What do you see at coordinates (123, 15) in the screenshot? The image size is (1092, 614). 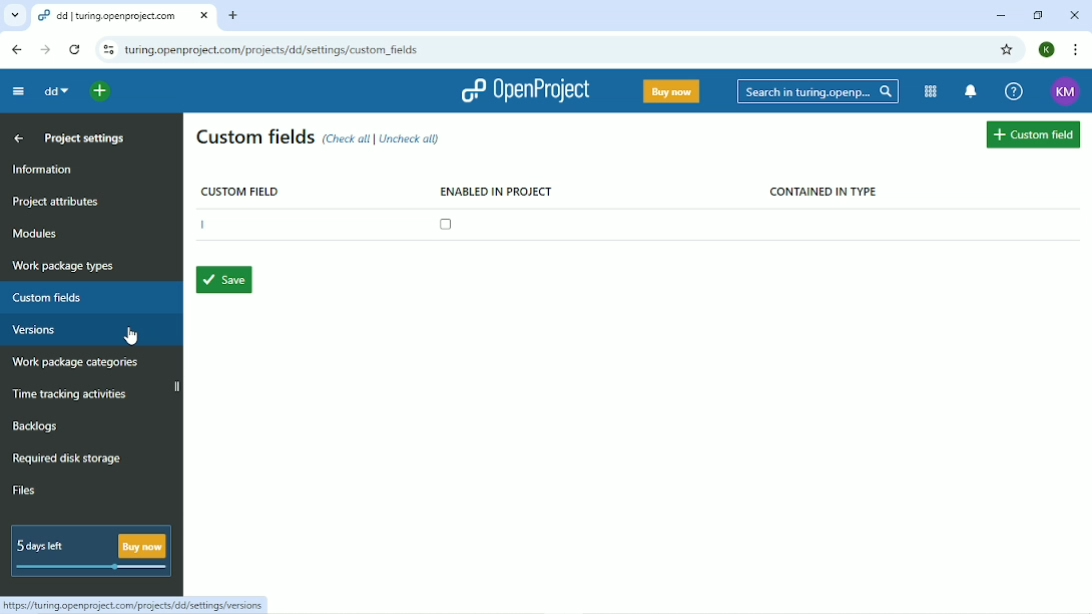 I see `dd|turing.openproject.com` at bounding box center [123, 15].